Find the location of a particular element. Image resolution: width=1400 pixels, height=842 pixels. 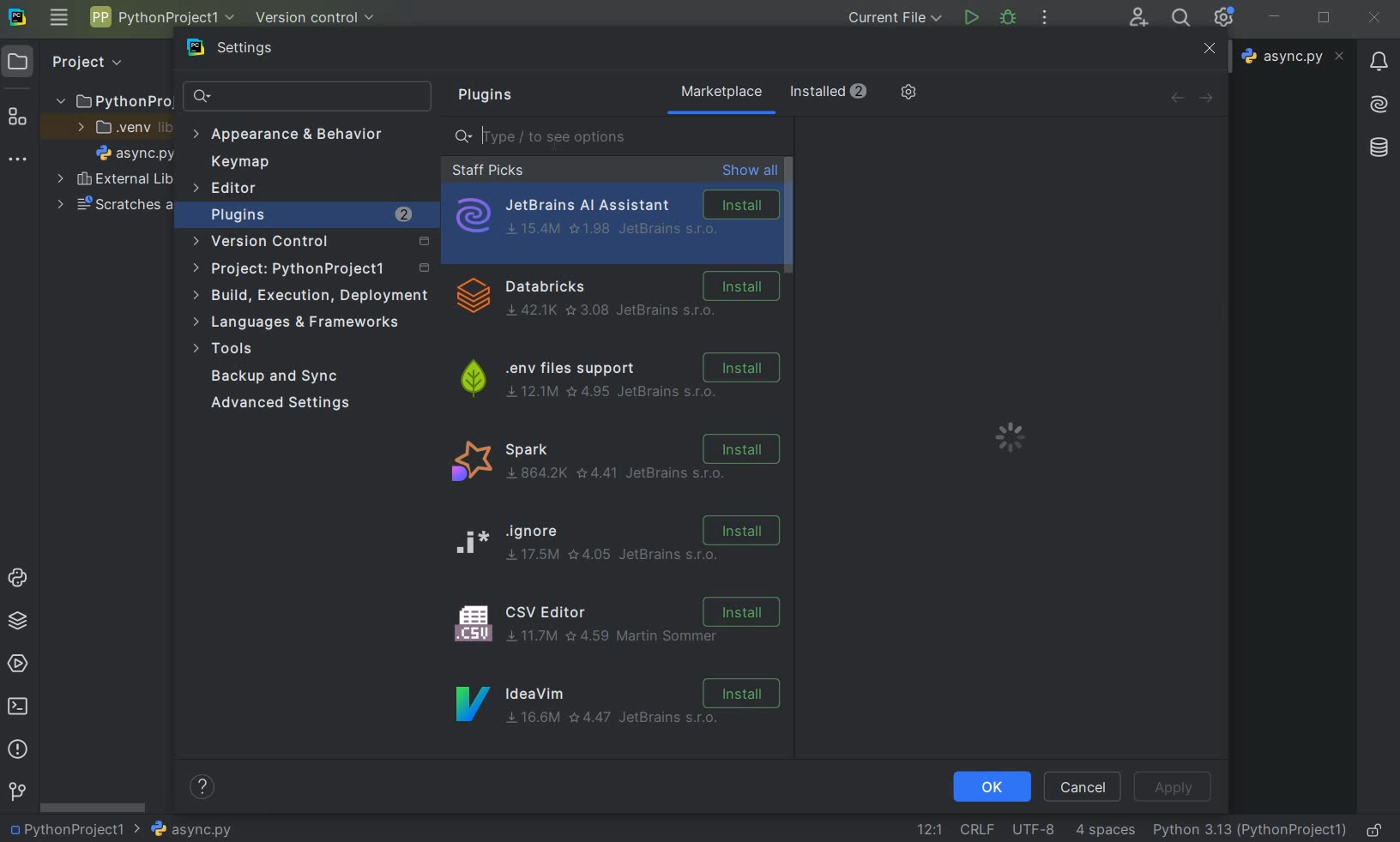

tools is located at coordinates (227, 351).